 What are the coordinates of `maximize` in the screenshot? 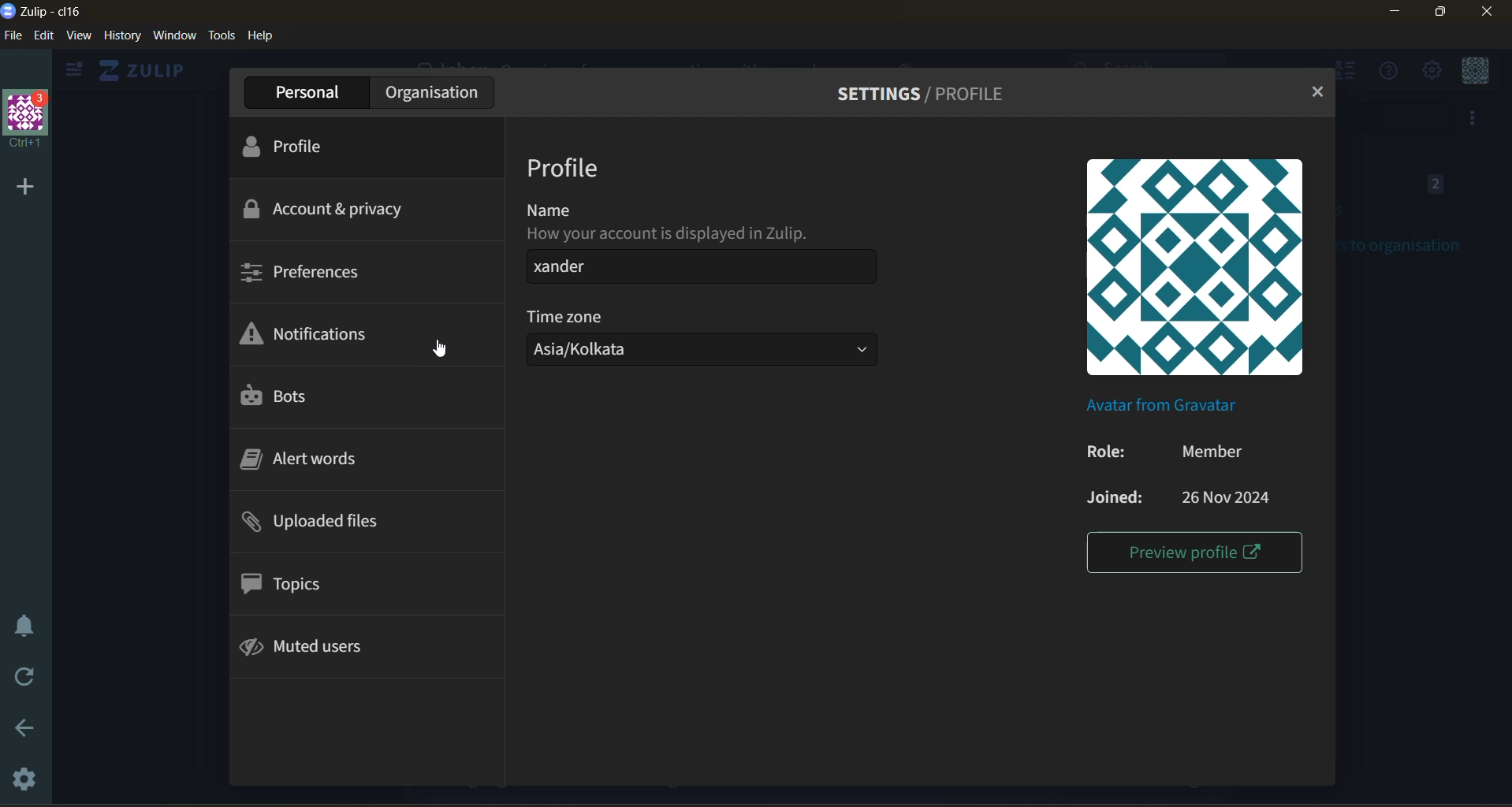 It's located at (1437, 13).